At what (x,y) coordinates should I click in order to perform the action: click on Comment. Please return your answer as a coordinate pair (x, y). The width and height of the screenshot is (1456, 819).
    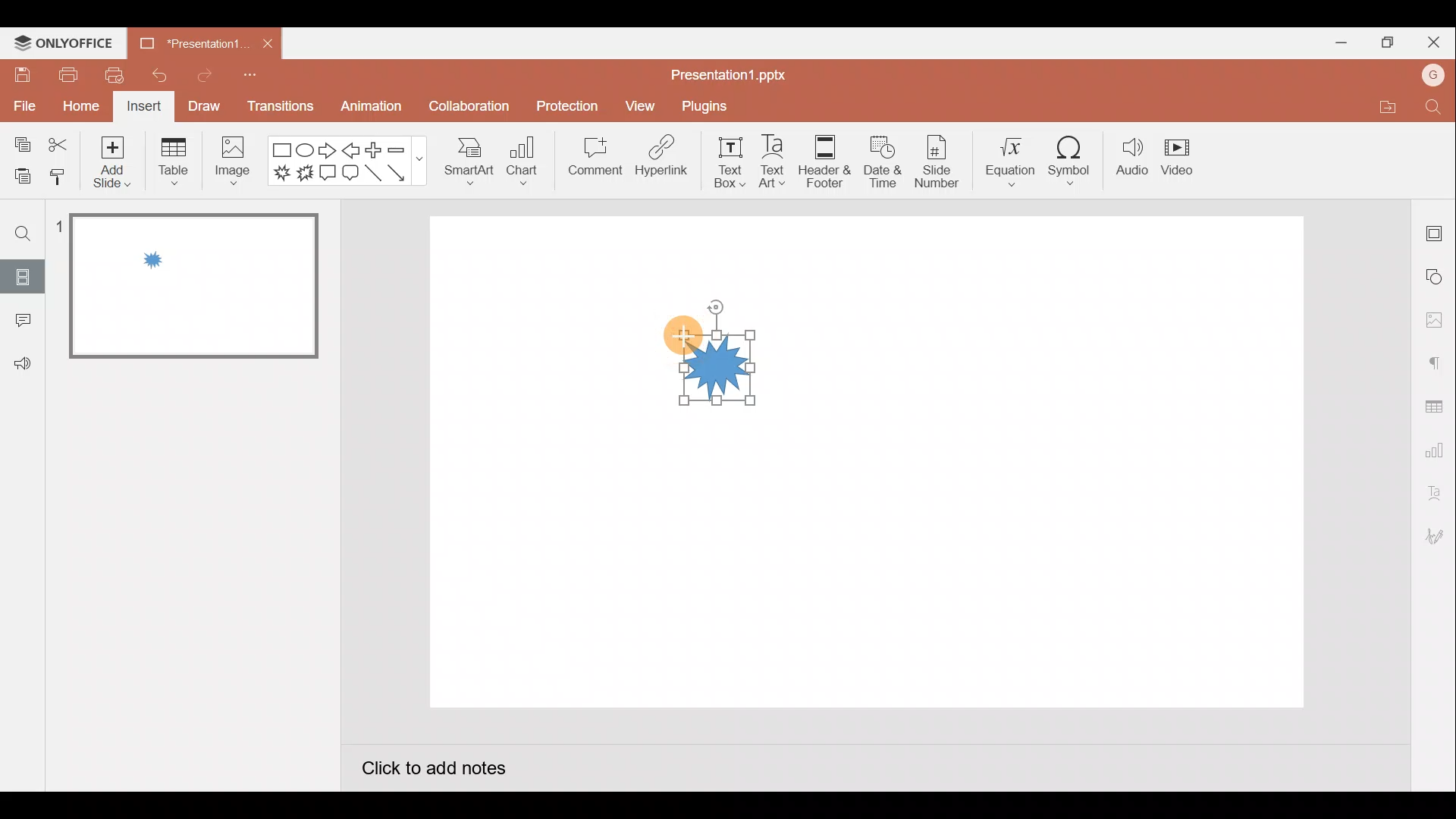
    Looking at the image, I should click on (22, 321).